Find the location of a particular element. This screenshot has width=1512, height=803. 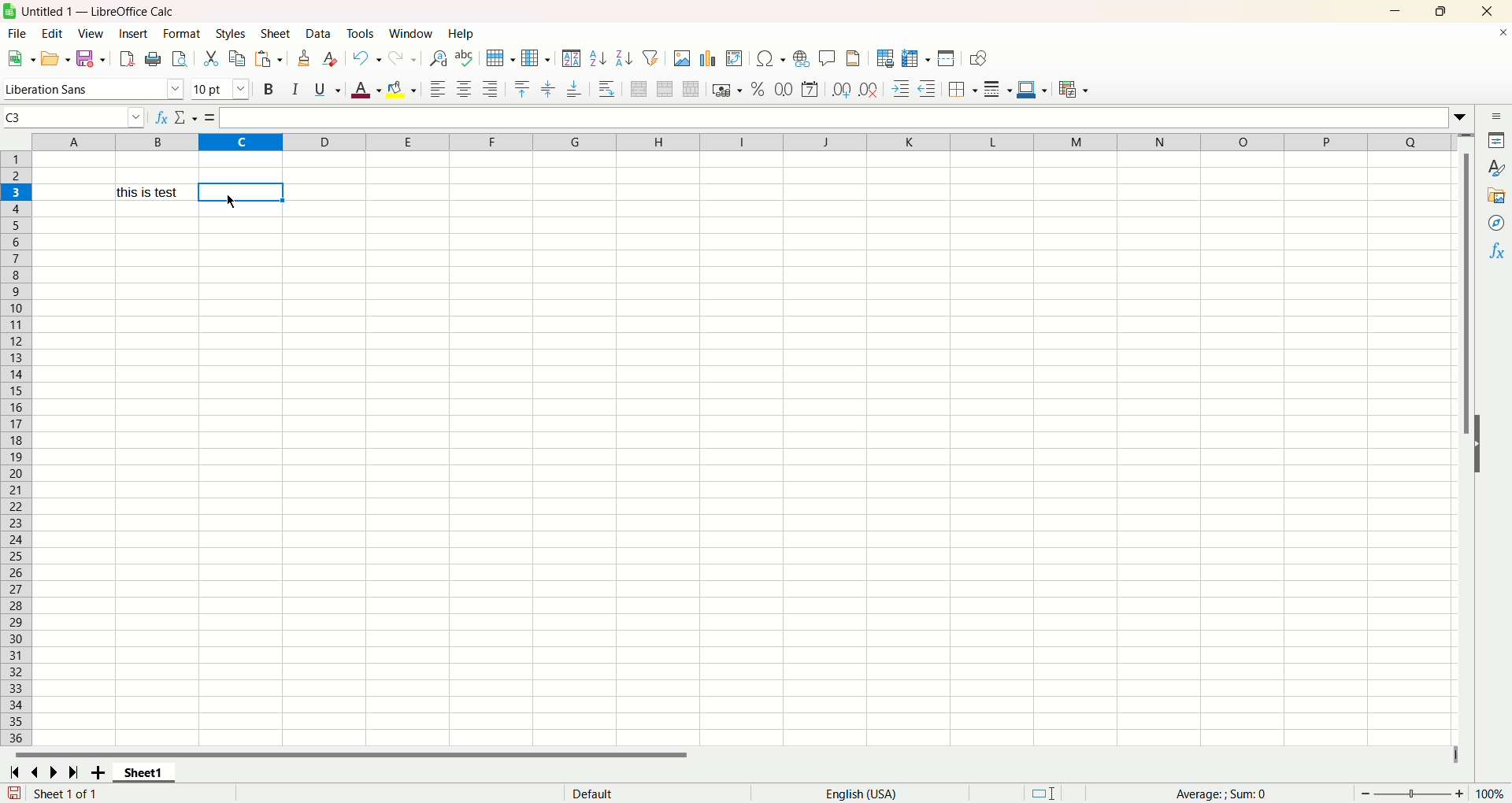

clear formatting is located at coordinates (332, 58).